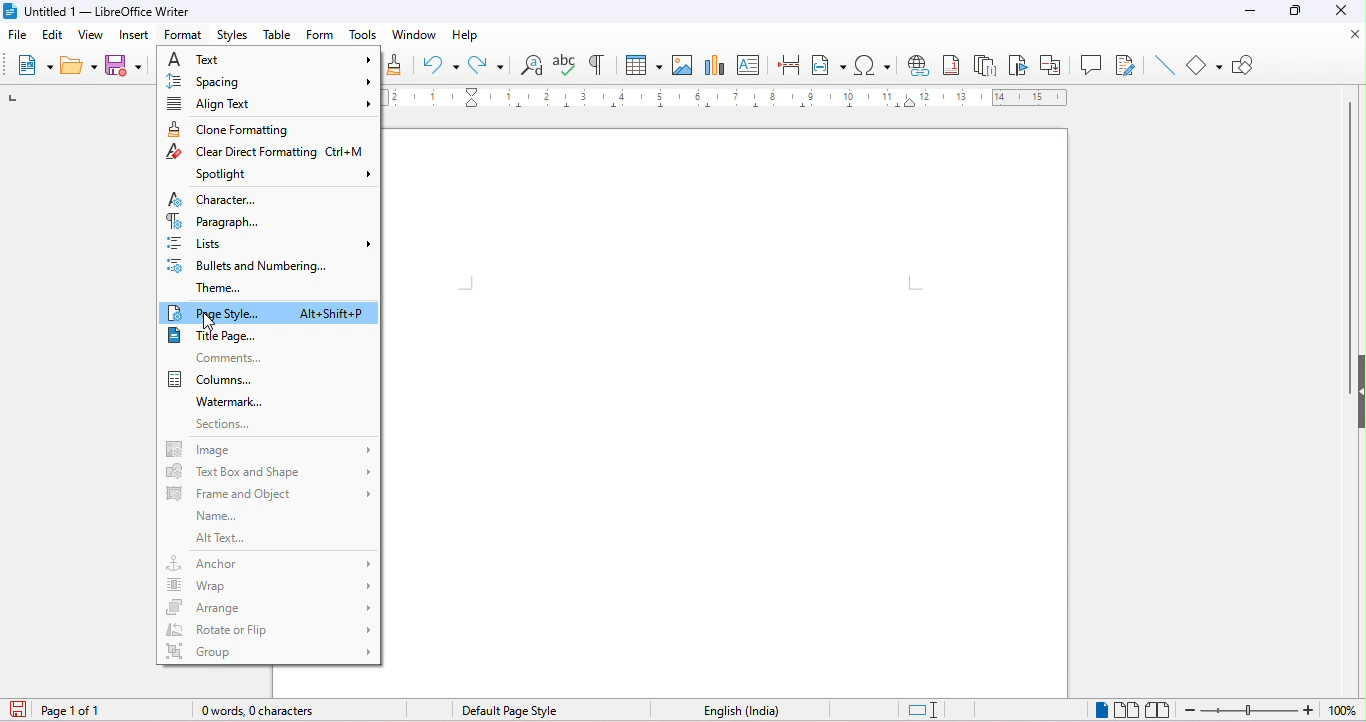 The width and height of the screenshot is (1366, 722). What do you see at coordinates (272, 81) in the screenshot?
I see `spacing` at bounding box center [272, 81].